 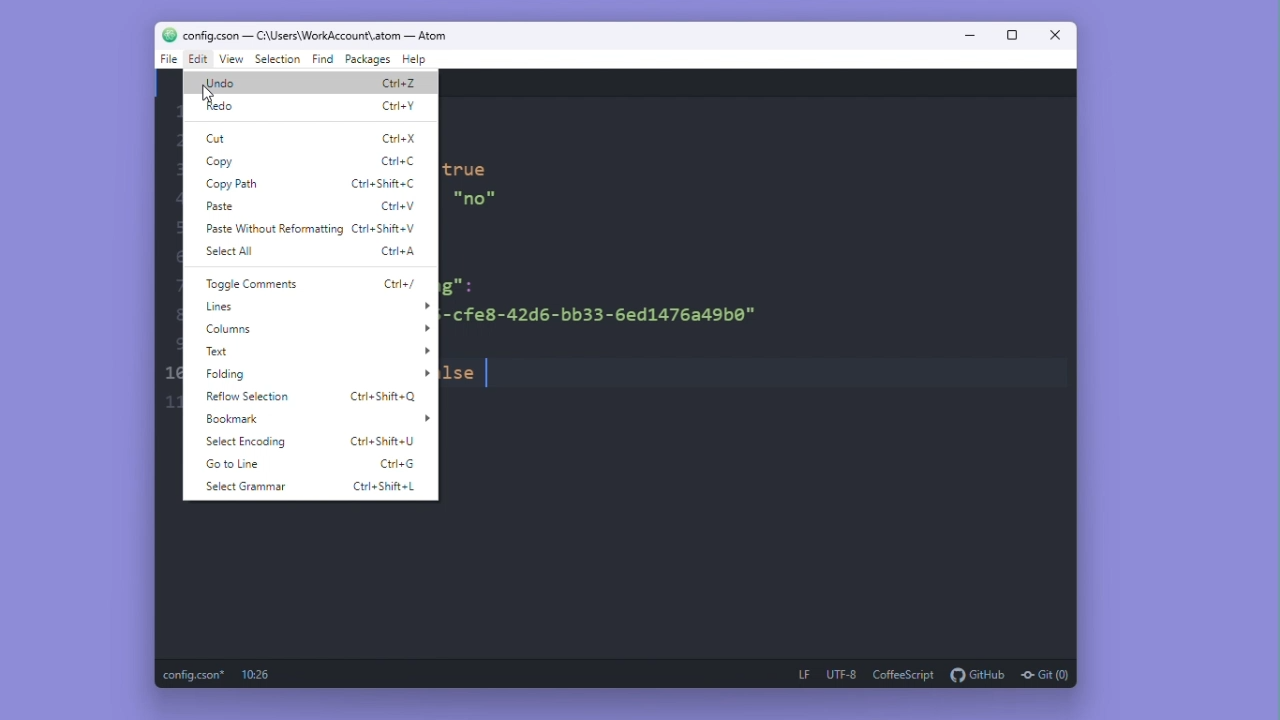 I want to click on Paste without reformatting, so click(x=272, y=230).